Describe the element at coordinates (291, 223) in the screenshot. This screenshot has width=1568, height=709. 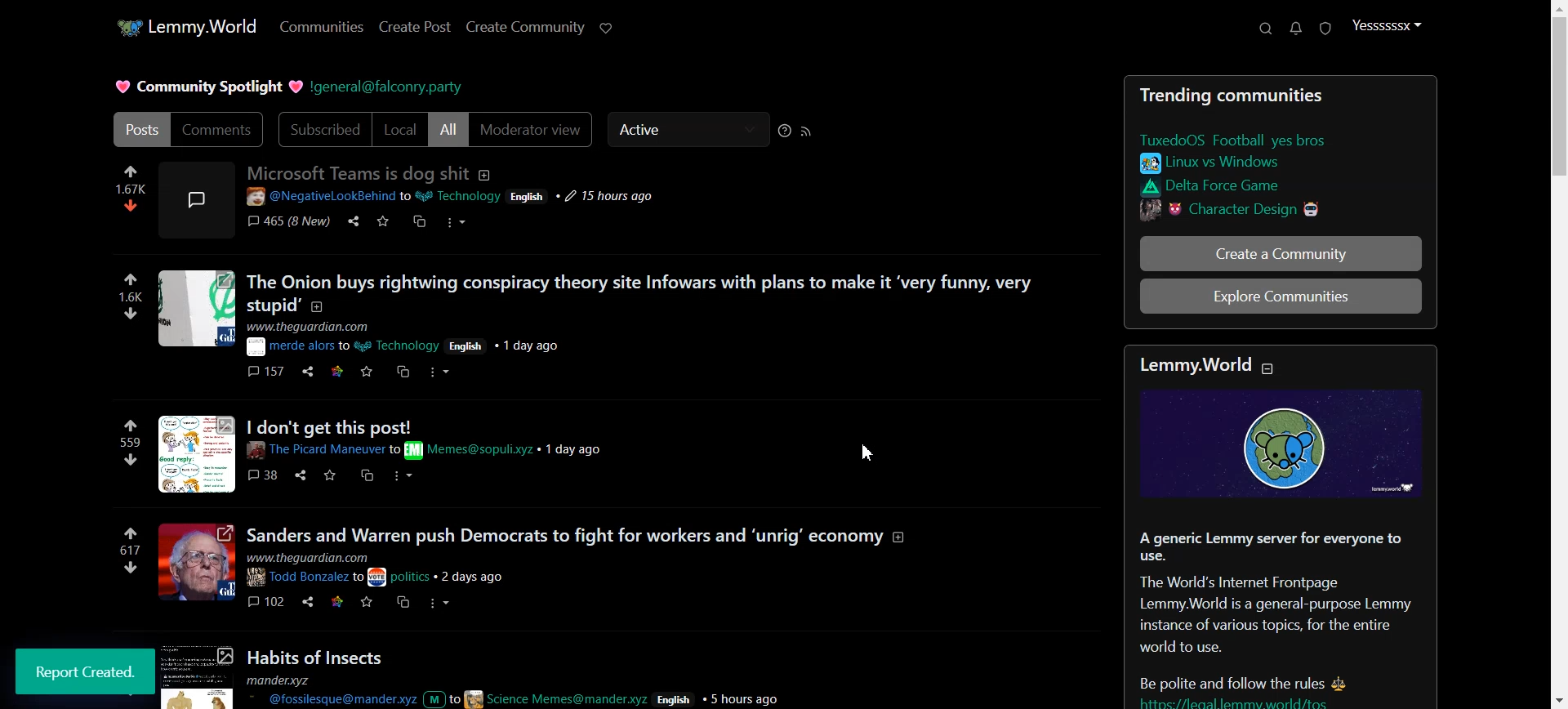
I see `comments` at that location.